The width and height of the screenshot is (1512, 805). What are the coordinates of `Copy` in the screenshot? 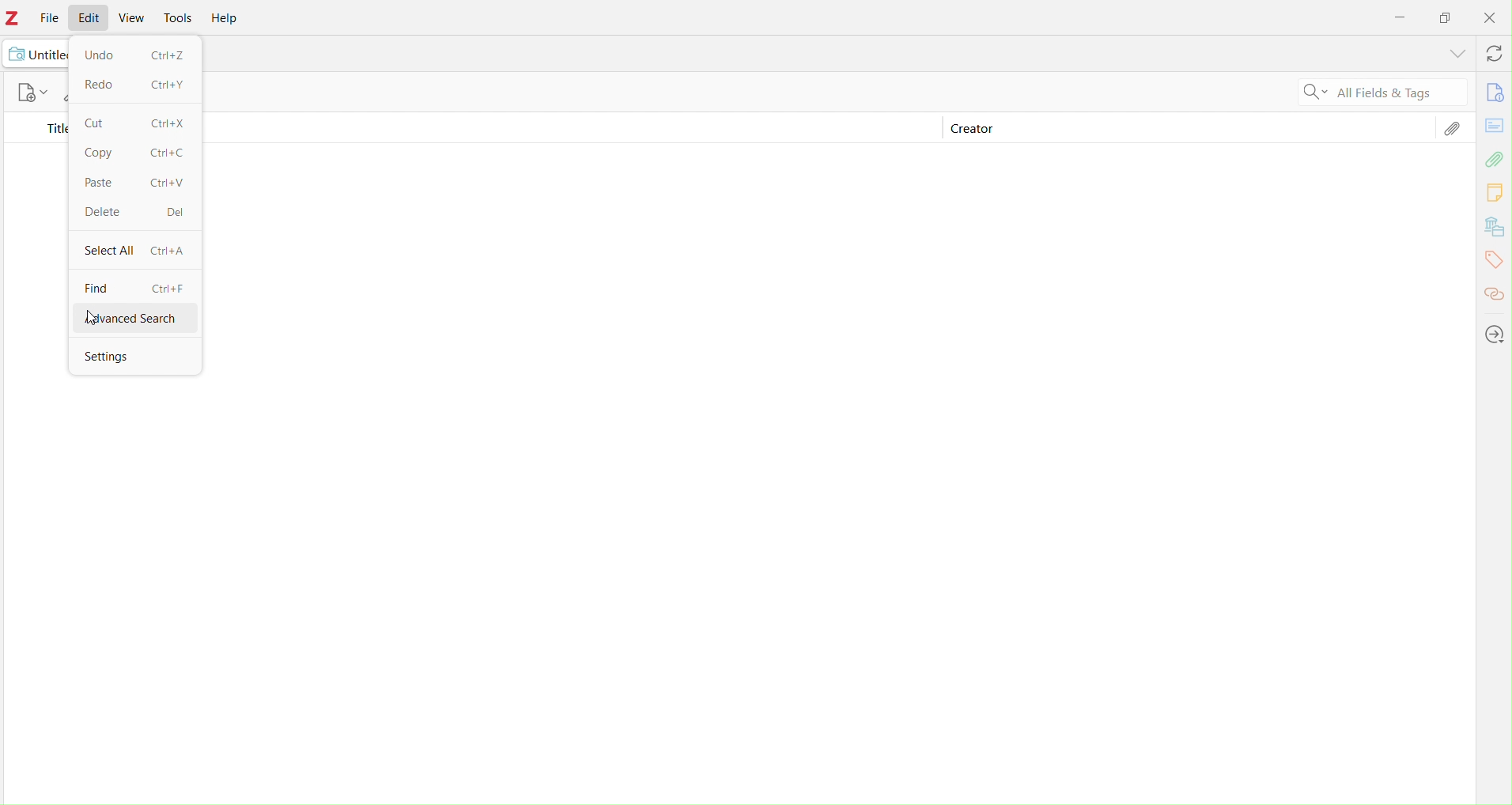 It's located at (136, 153).